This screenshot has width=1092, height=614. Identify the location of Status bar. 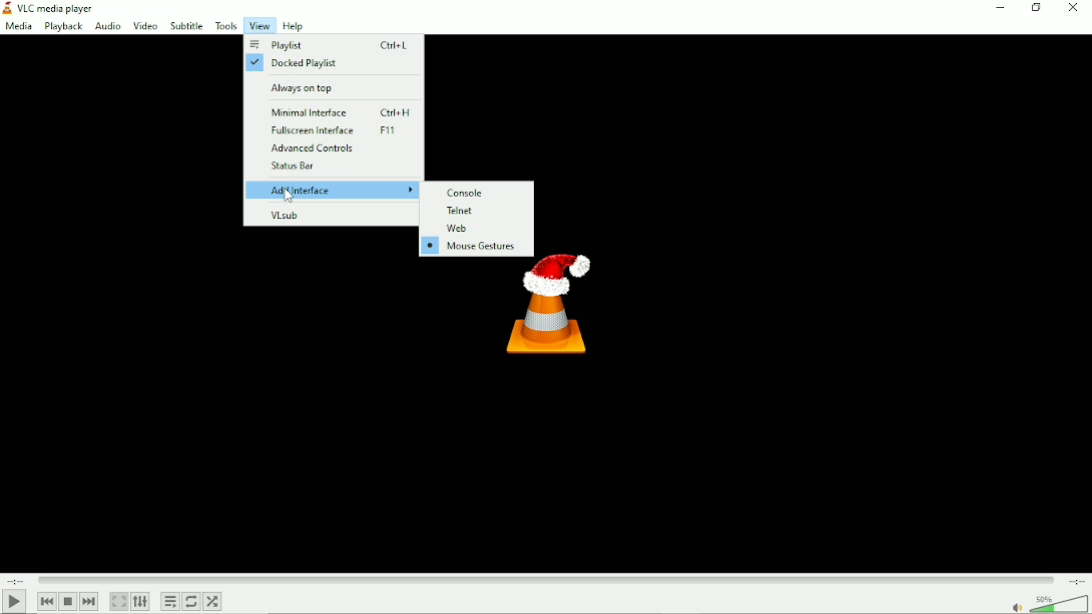
(334, 166).